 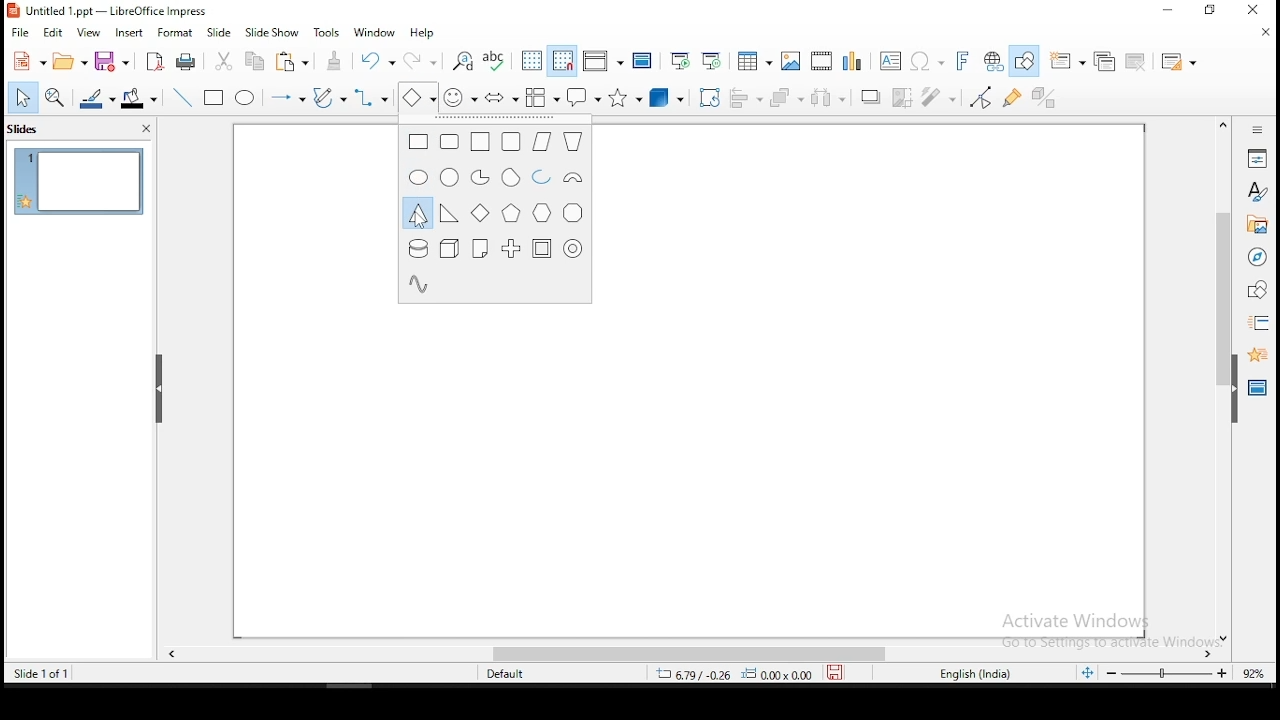 What do you see at coordinates (563, 61) in the screenshot?
I see `snap to grids` at bounding box center [563, 61].